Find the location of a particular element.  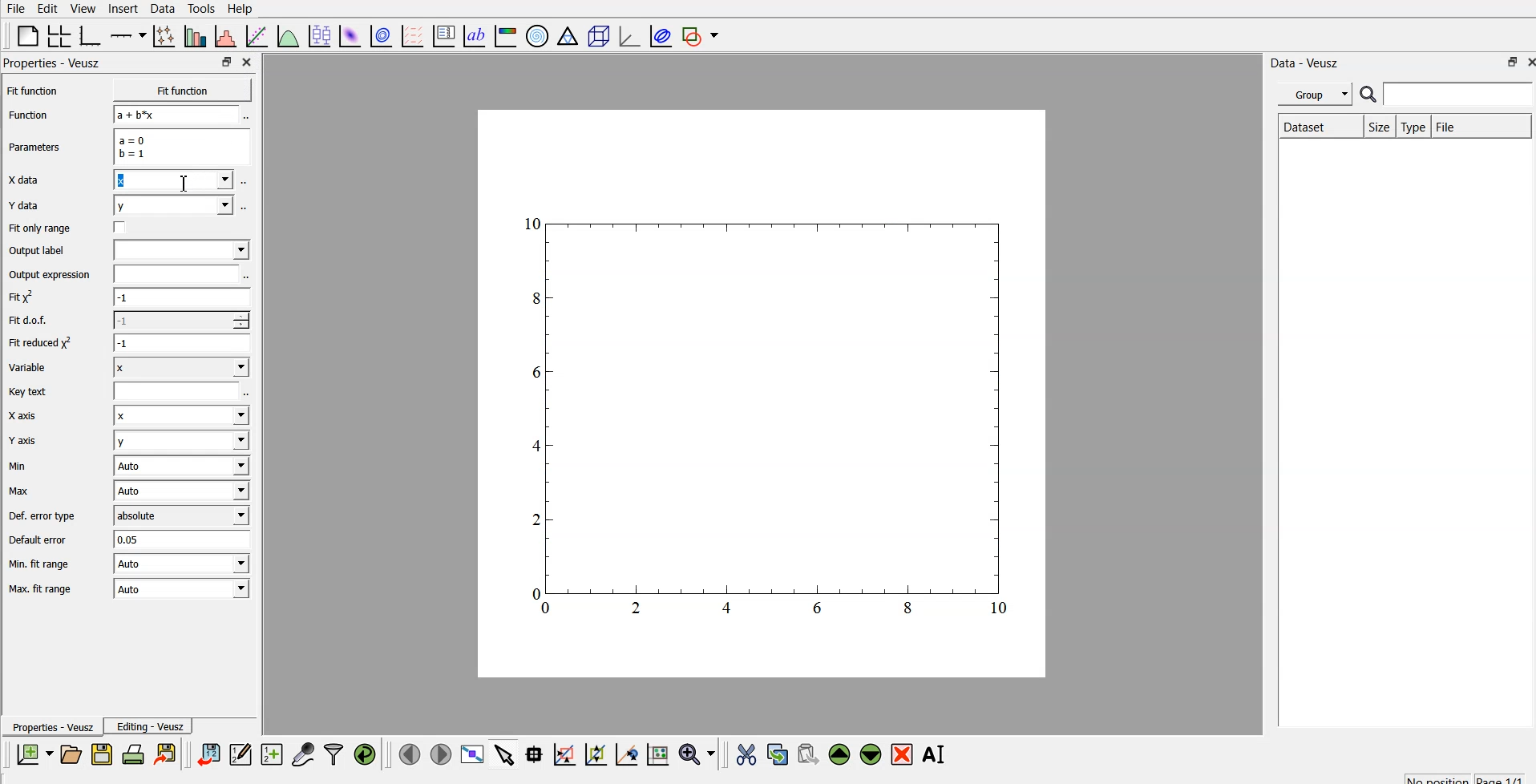

print is located at coordinates (134, 755).